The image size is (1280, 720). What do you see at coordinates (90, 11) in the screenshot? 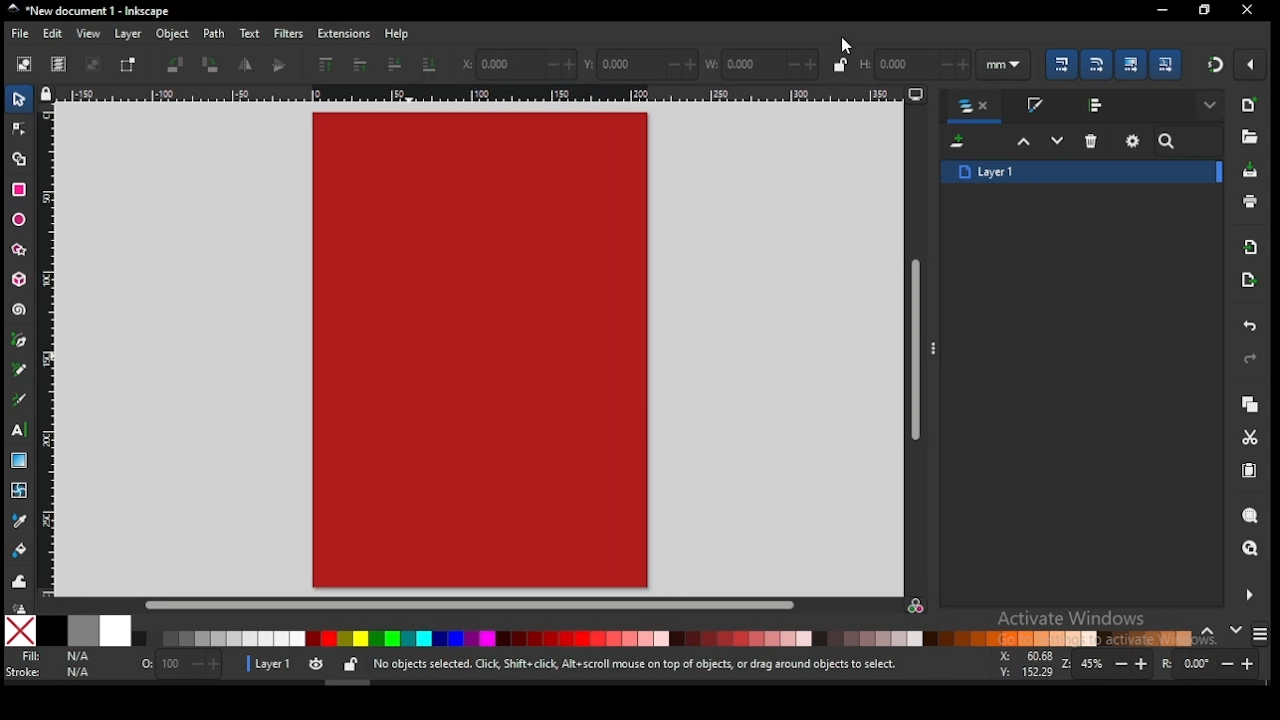
I see `icon and filename` at bounding box center [90, 11].